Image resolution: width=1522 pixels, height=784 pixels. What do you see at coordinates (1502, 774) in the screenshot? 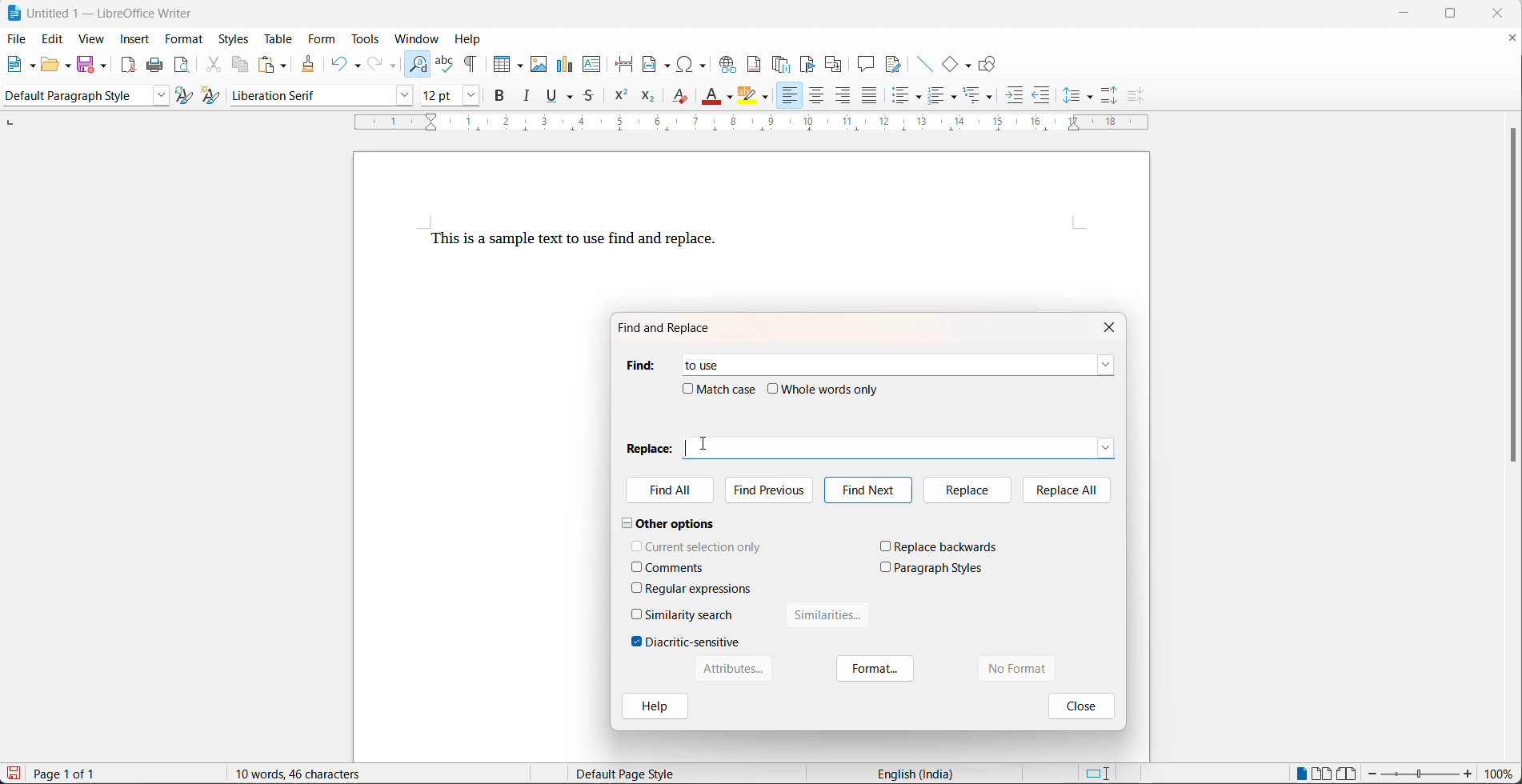
I see `zoom percentage` at bounding box center [1502, 774].